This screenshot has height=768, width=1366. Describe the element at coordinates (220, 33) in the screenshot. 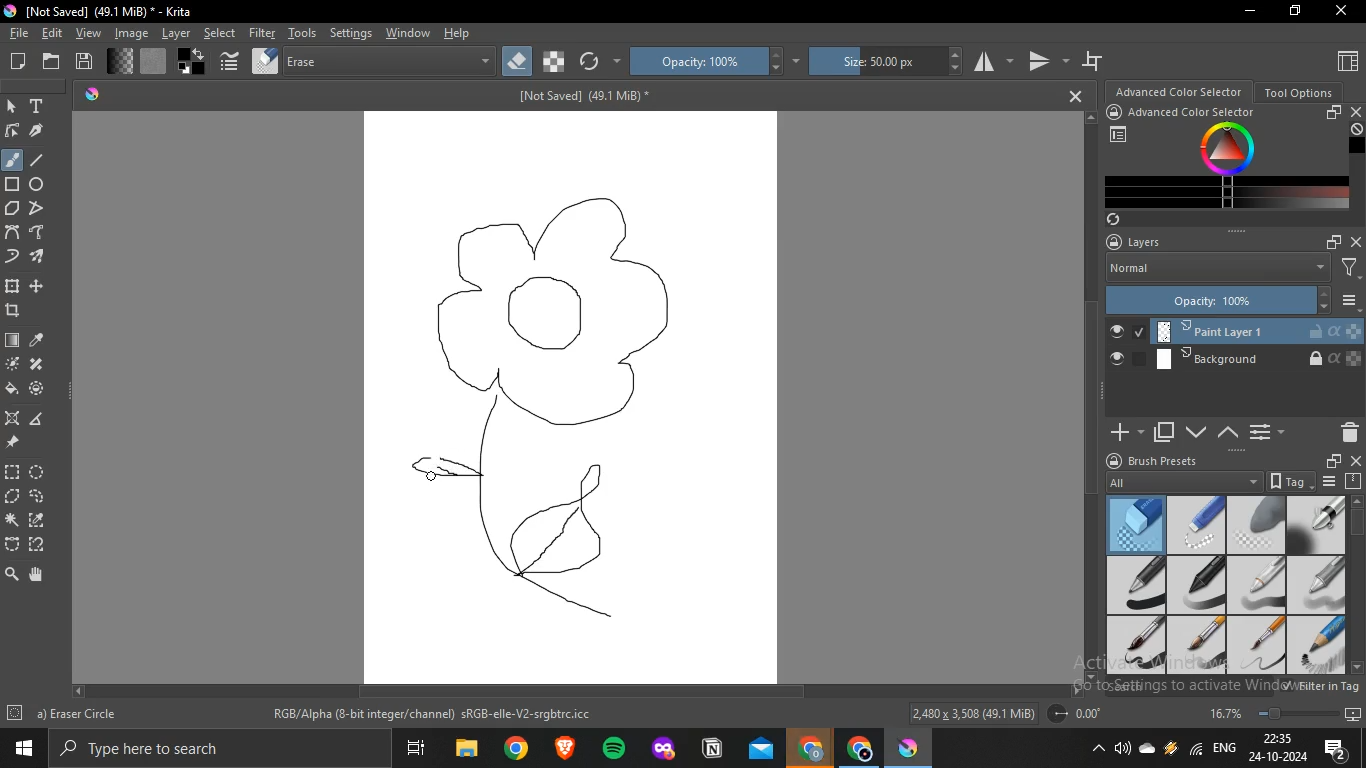

I see `select` at that location.